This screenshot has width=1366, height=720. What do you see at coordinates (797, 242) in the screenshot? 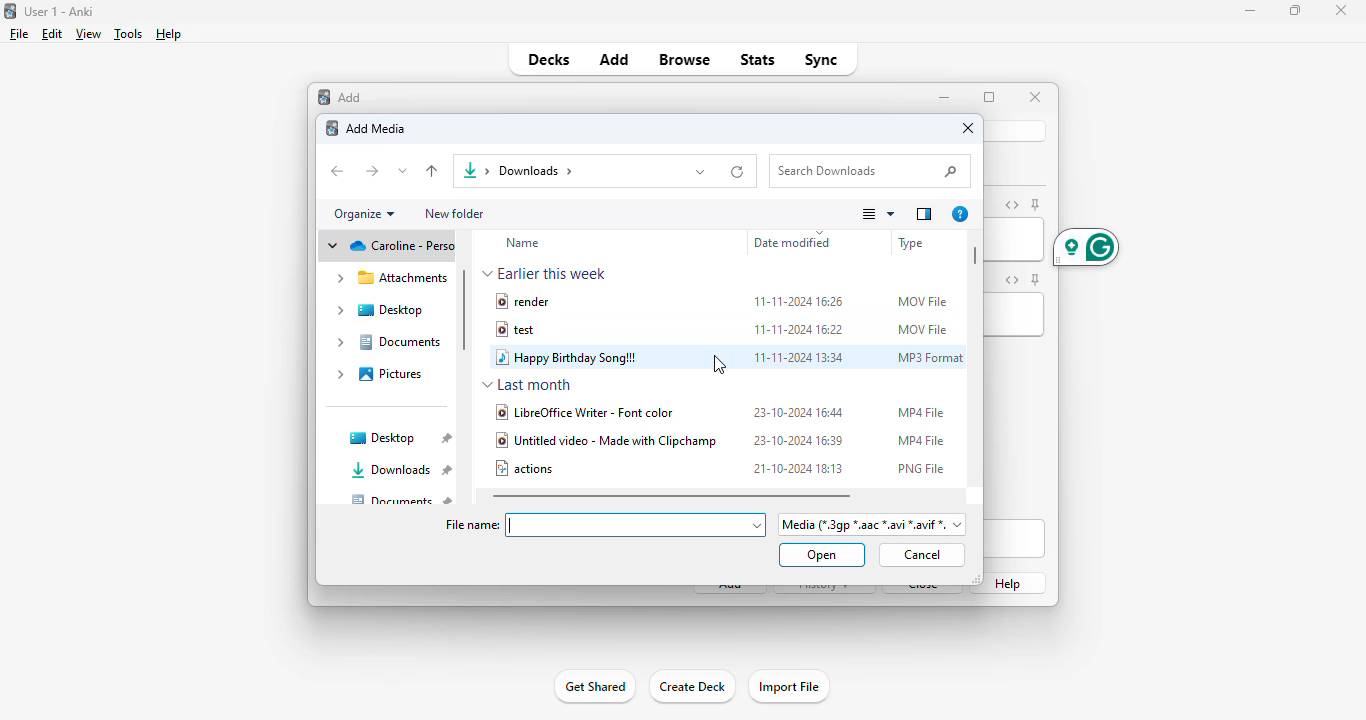
I see `date modified` at bounding box center [797, 242].